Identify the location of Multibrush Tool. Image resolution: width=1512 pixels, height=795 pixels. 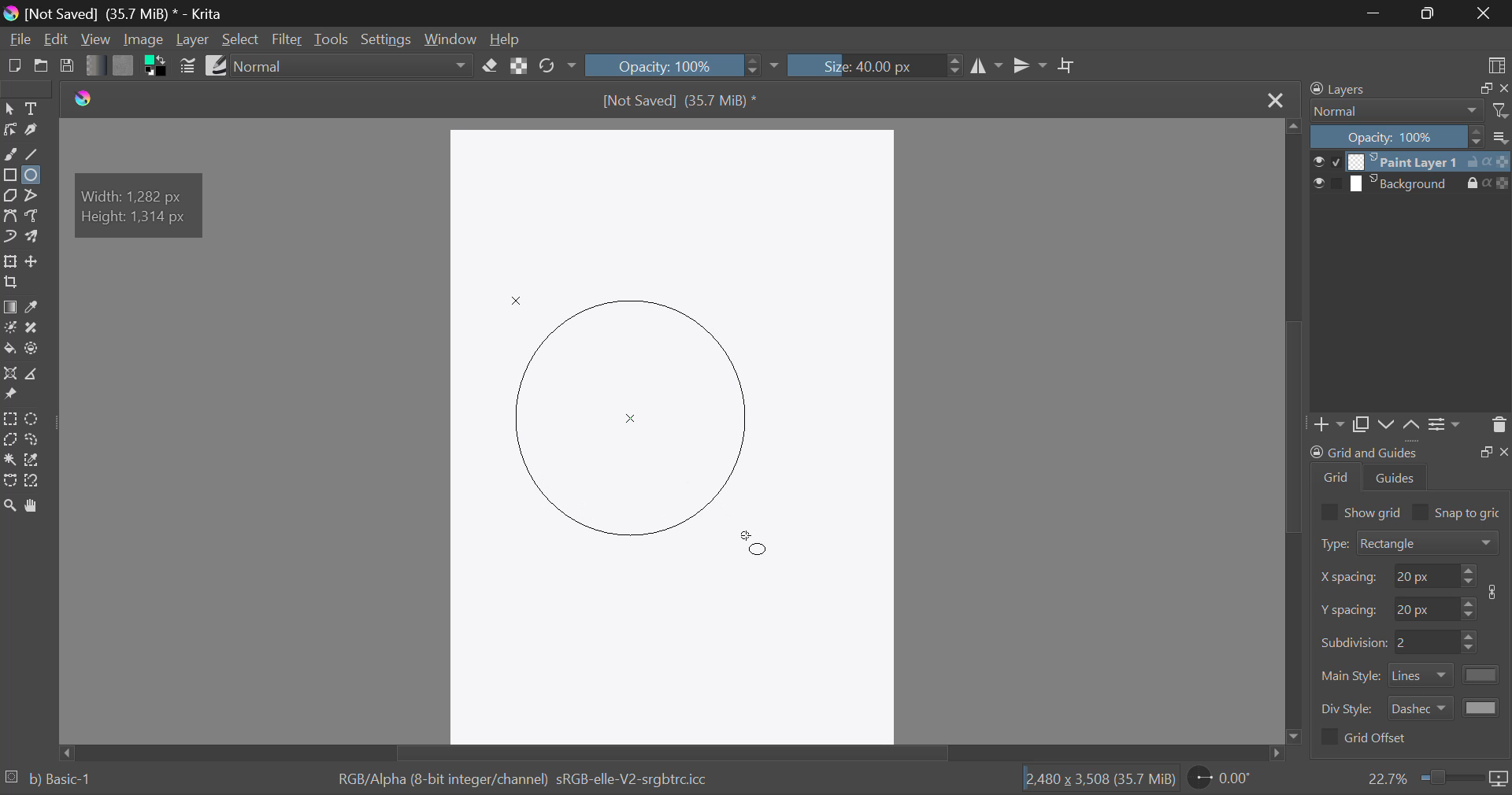
(35, 238).